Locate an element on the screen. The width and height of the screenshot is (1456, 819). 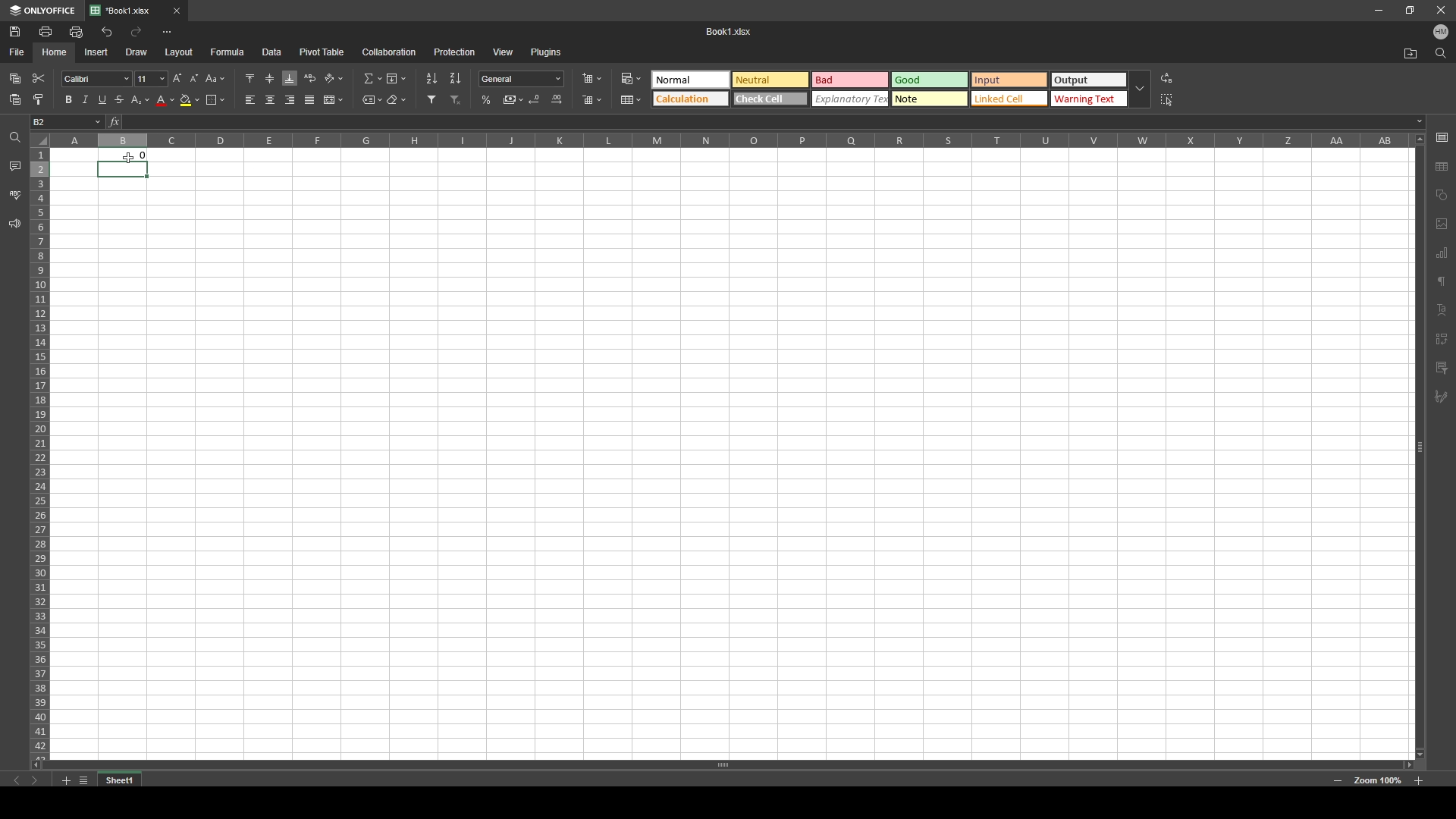
zoom out is located at coordinates (1338, 780).